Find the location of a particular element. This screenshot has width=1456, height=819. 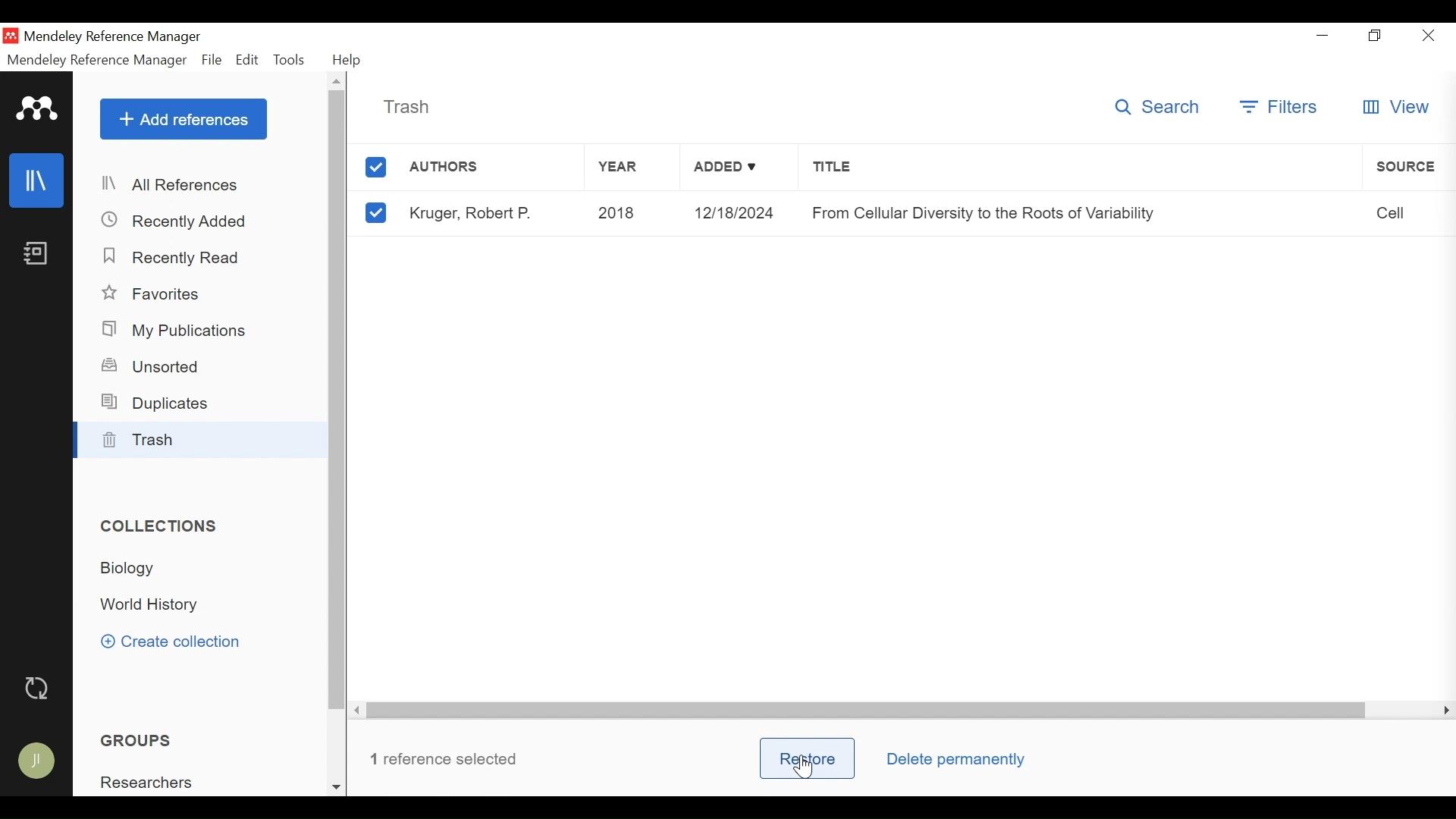

All Reference is located at coordinates (202, 186).